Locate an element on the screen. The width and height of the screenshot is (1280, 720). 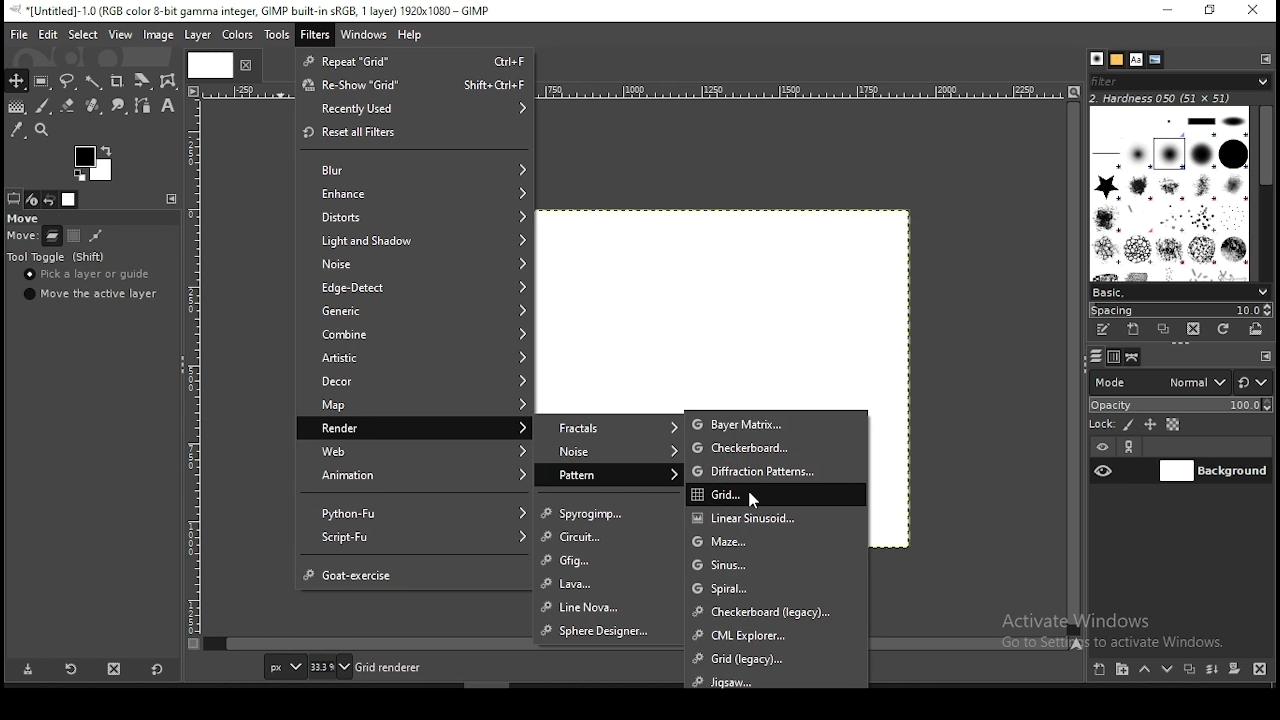
units is located at coordinates (284, 666).